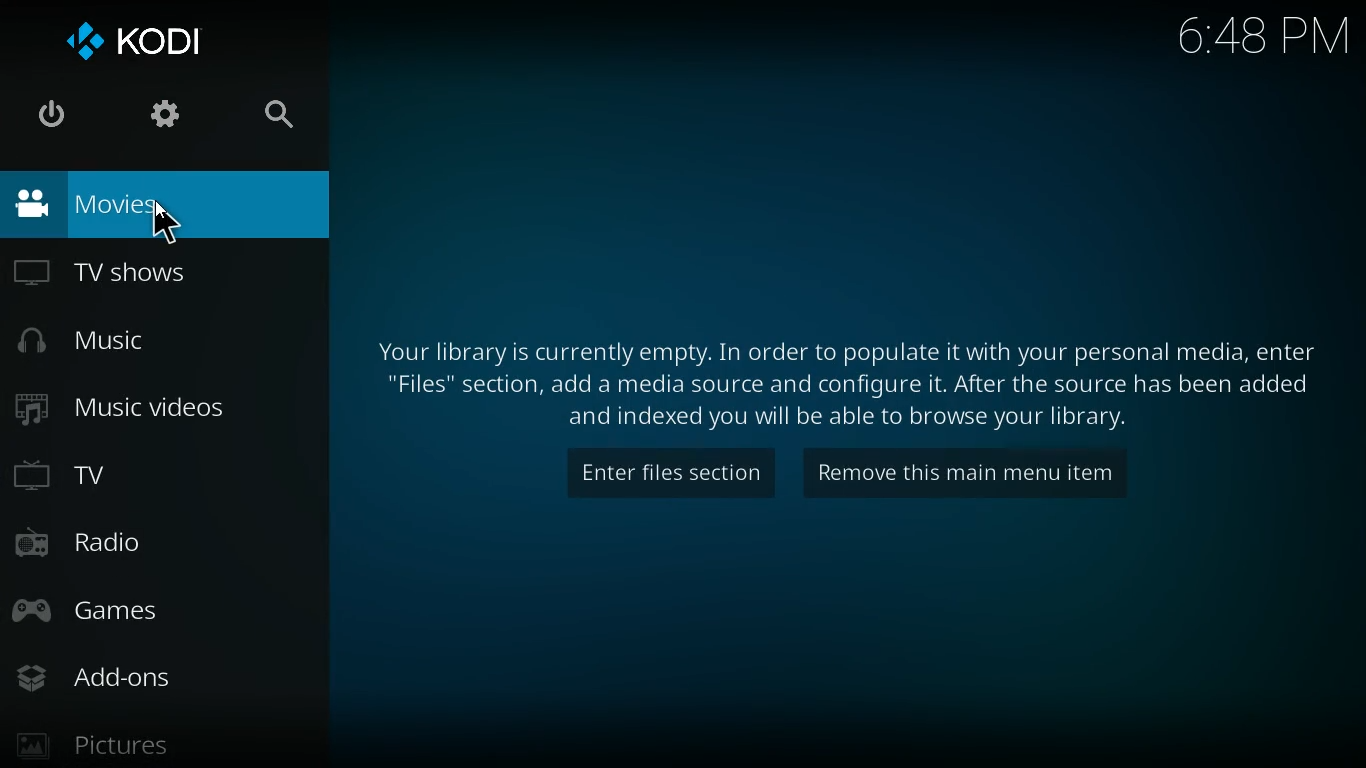 This screenshot has width=1366, height=768. I want to click on music videos, so click(152, 408).